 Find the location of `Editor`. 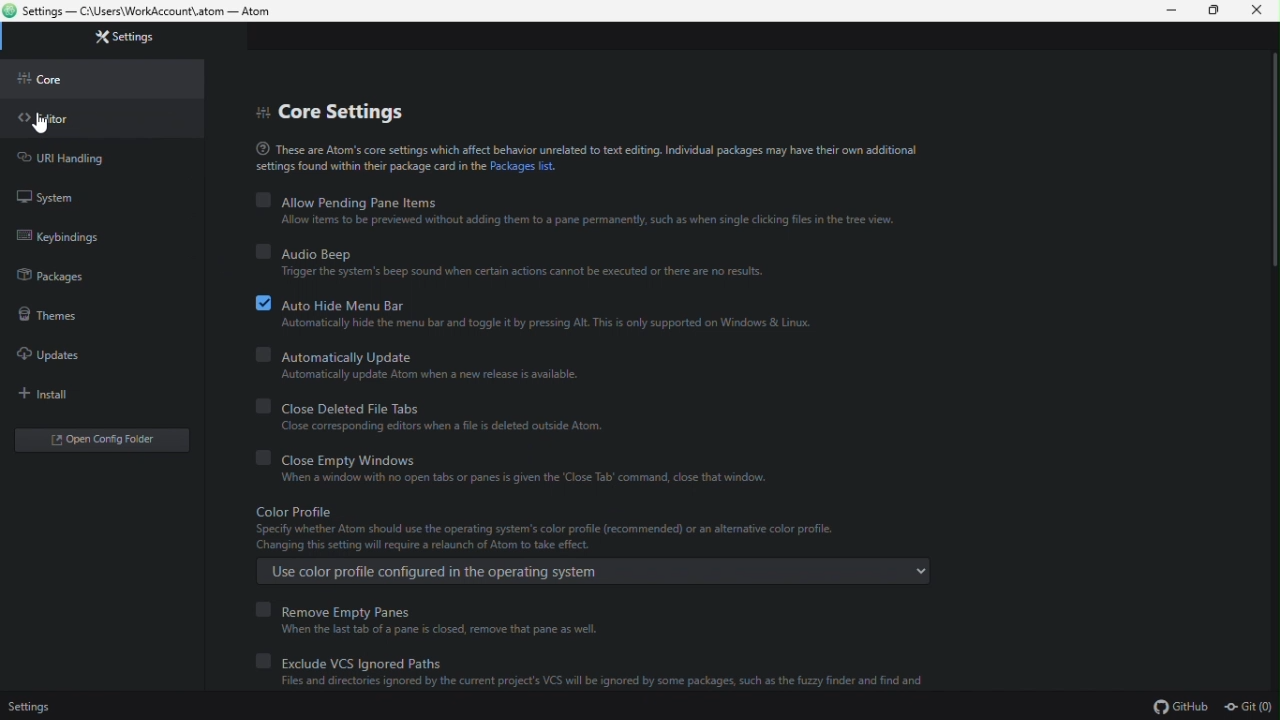

Editor is located at coordinates (67, 121).